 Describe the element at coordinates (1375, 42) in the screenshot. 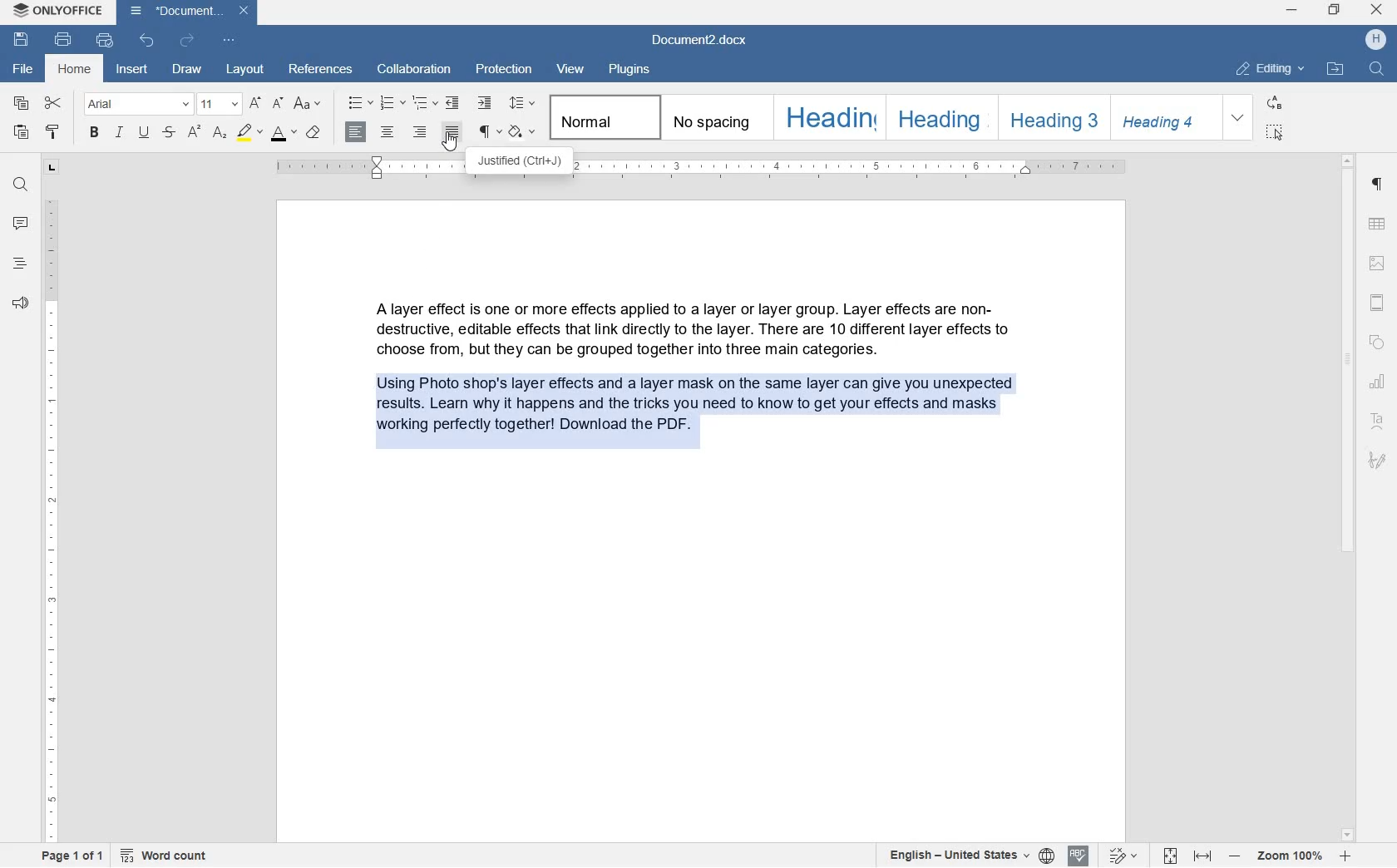

I see `HP` at that location.